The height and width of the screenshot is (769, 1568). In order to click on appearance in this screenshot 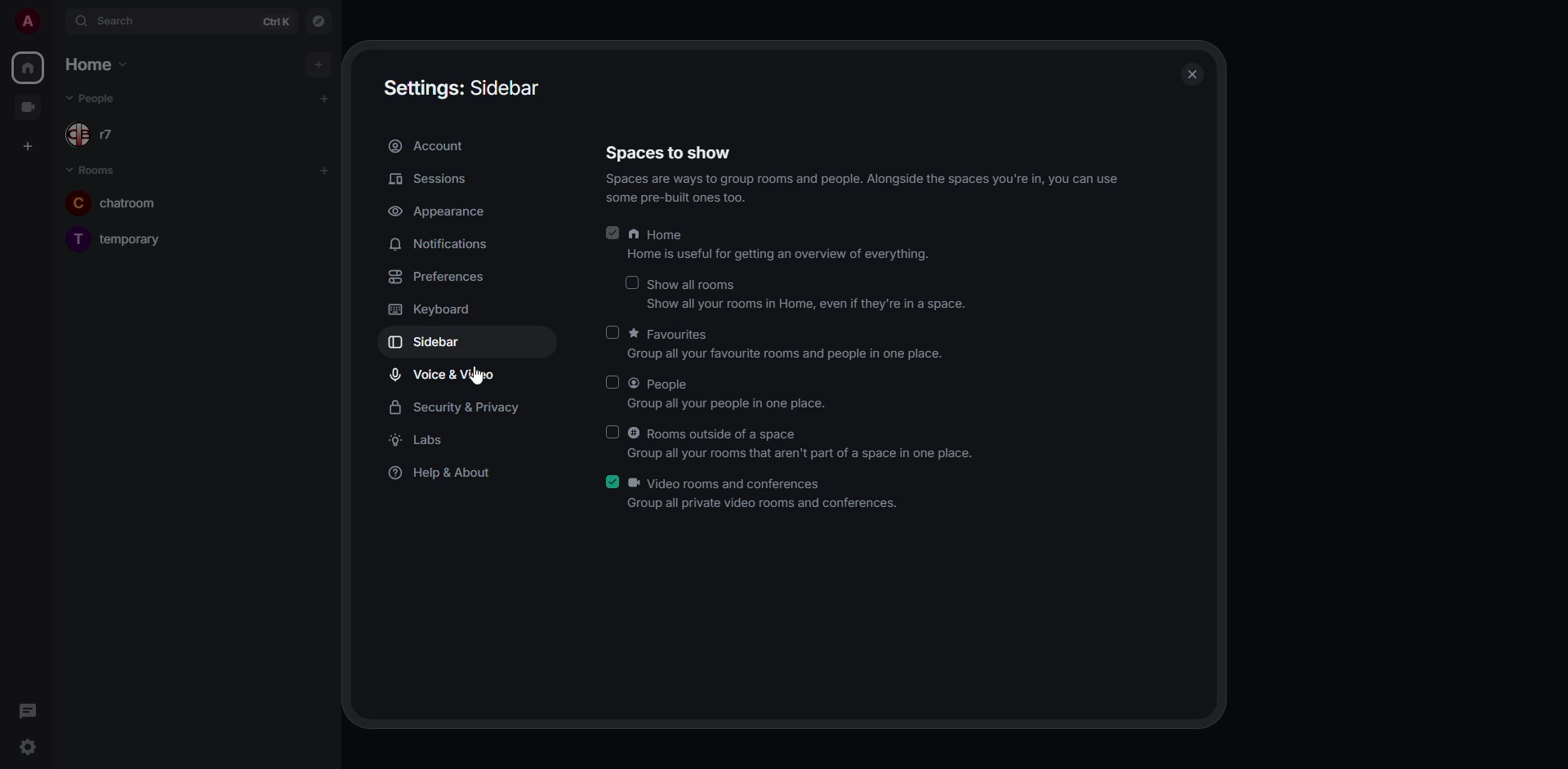, I will do `click(437, 211)`.